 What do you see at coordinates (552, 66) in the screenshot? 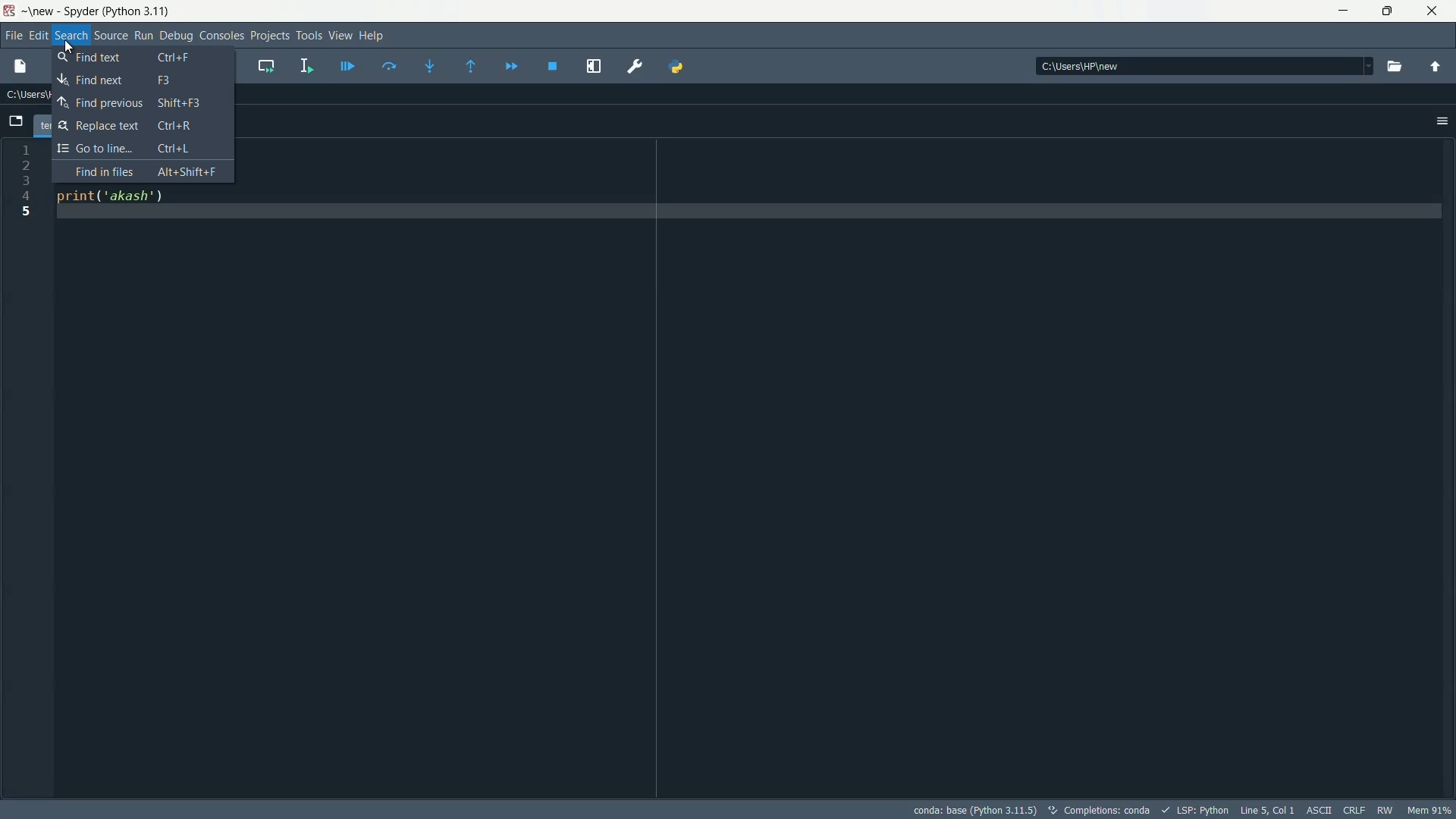
I see `stop debugging` at bounding box center [552, 66].